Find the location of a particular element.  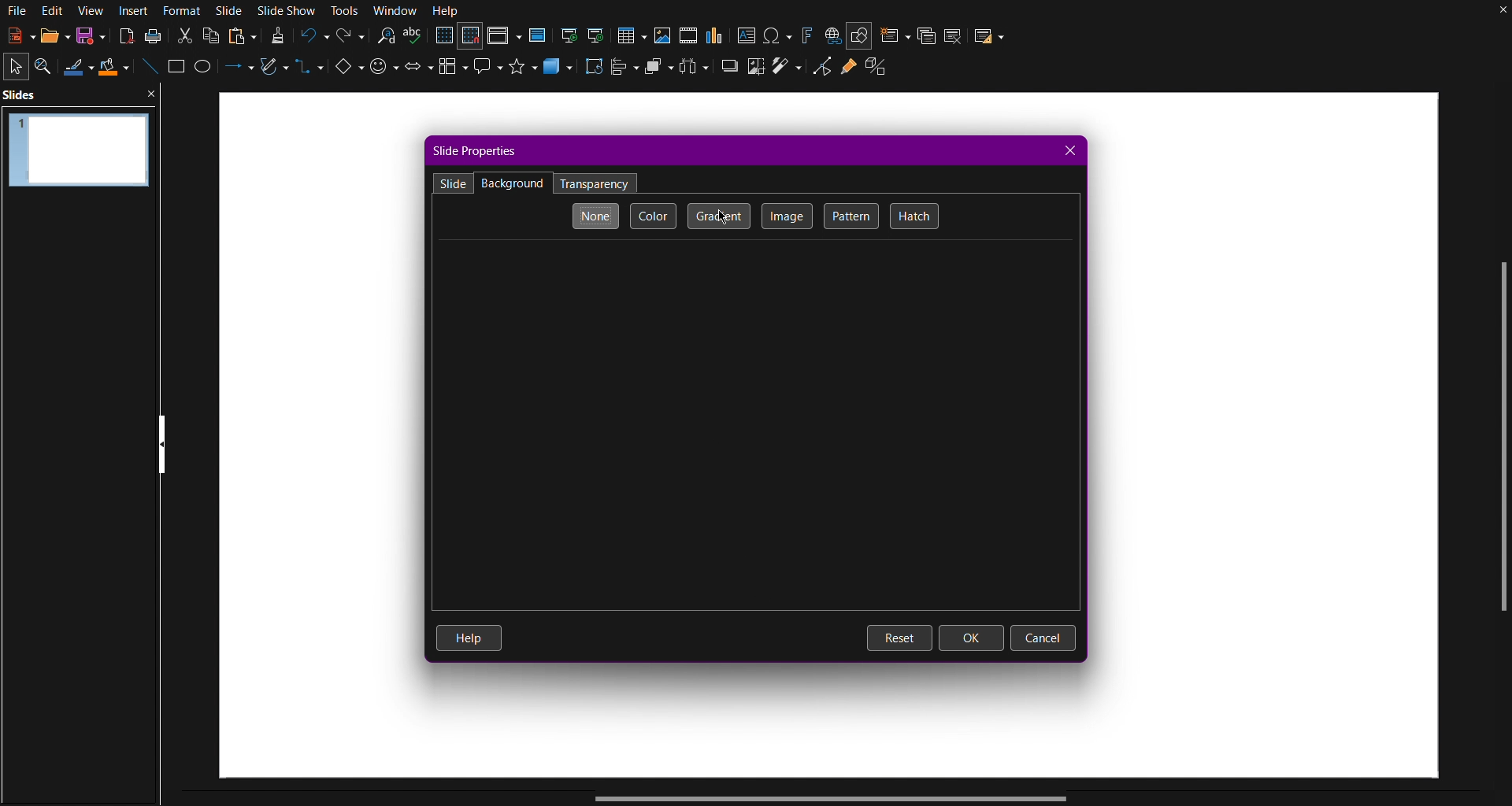

Copy is located at coordinates (212, 35).